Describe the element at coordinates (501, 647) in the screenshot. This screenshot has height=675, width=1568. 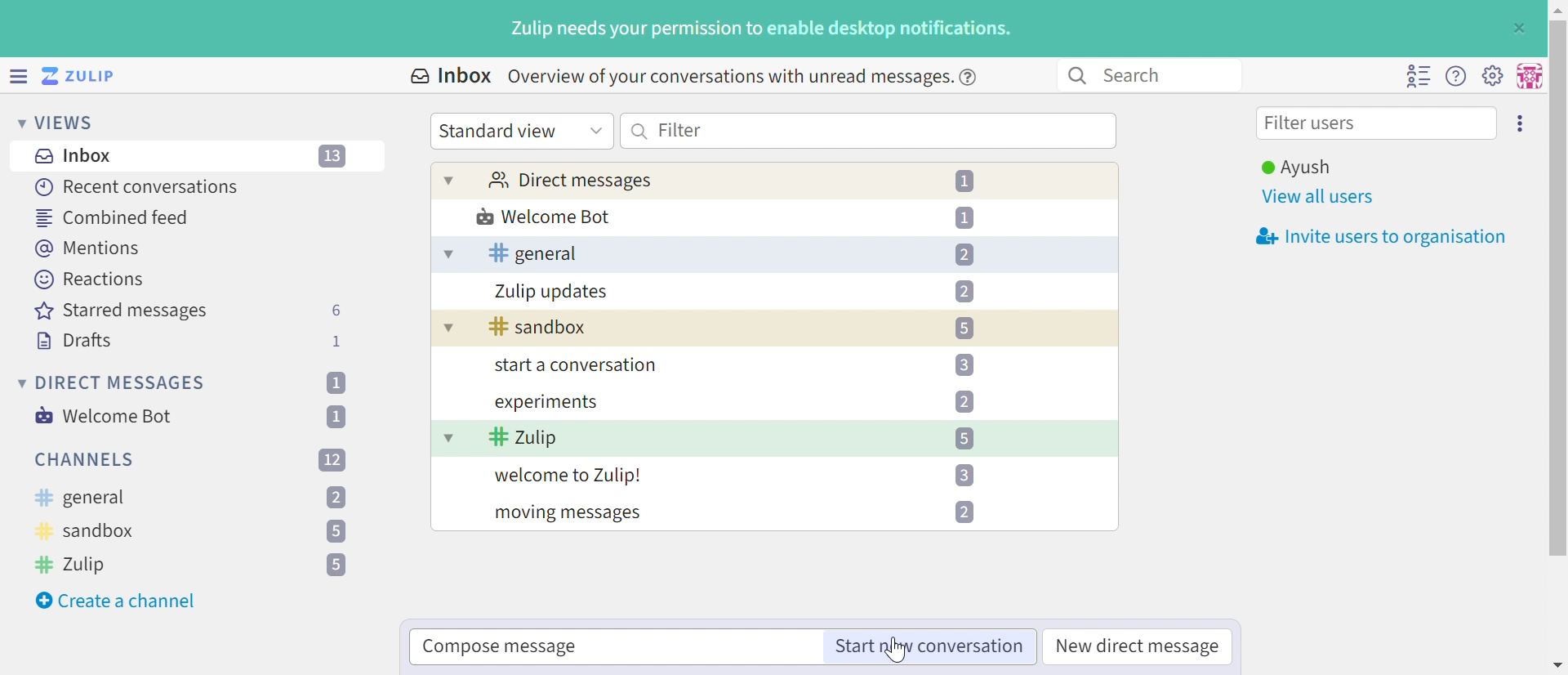
I see `Compose message` at that location.